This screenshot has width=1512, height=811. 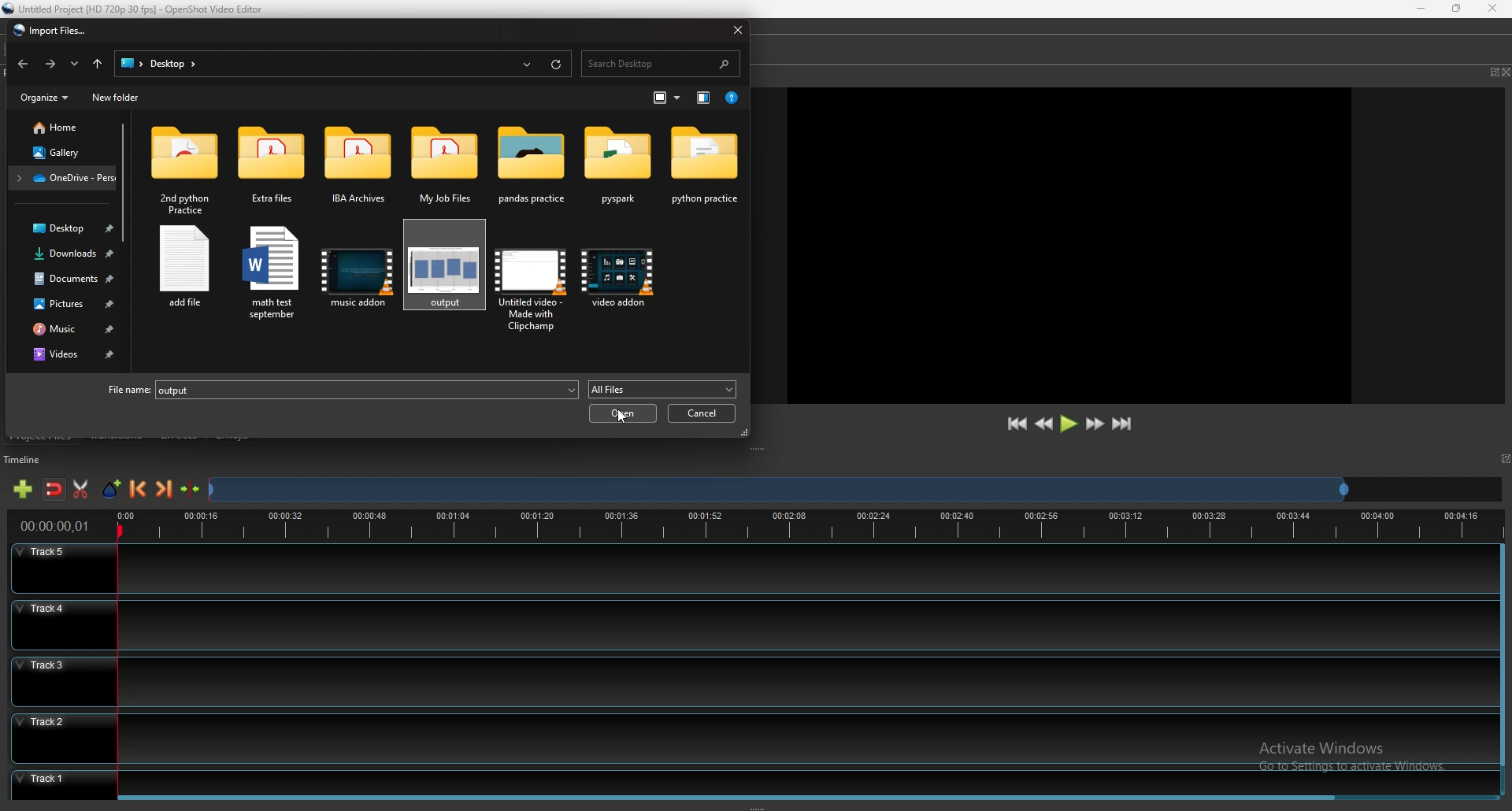 I want to click on help, so click(x=732, y=95).